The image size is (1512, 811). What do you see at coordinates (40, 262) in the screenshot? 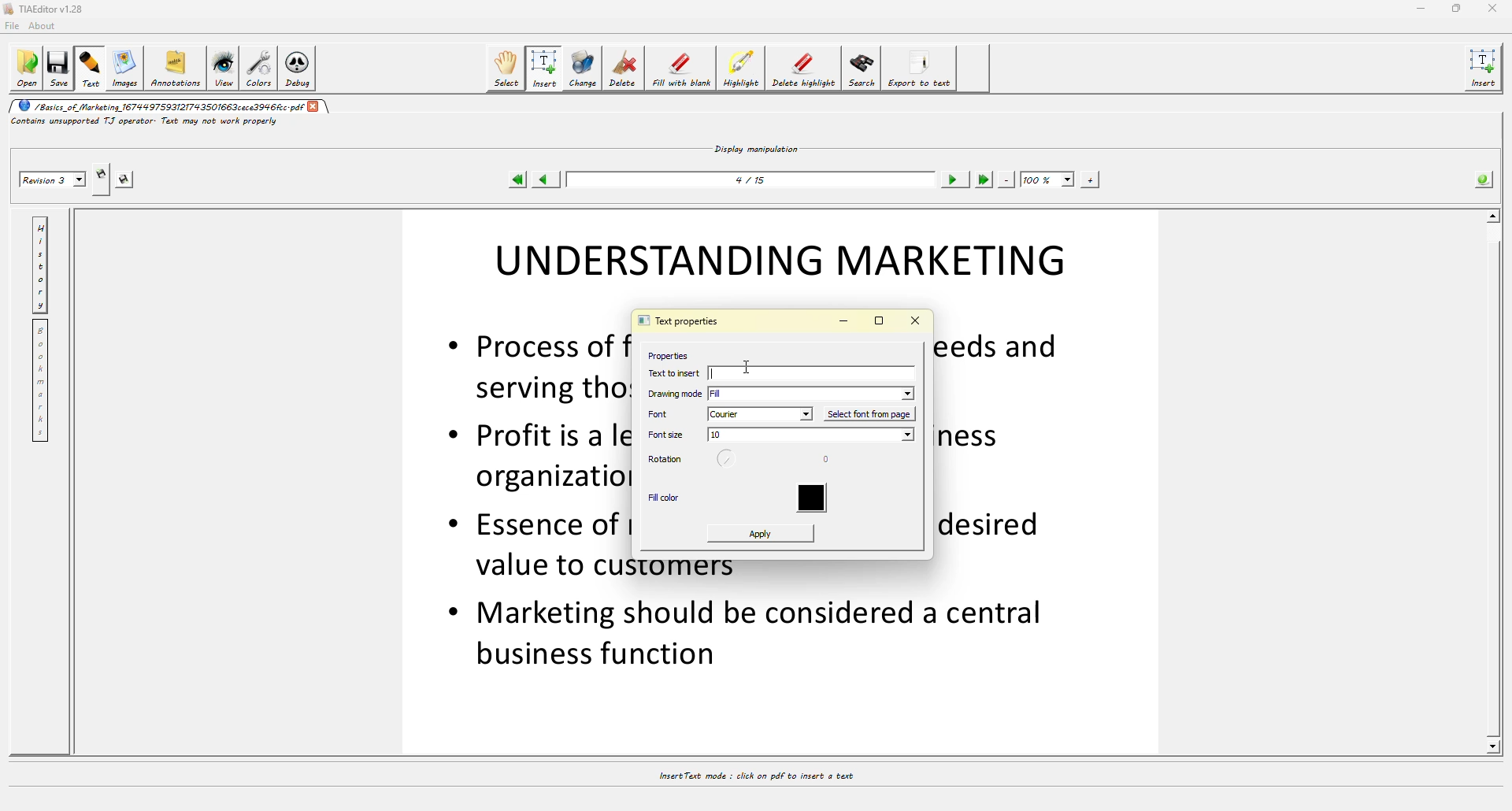
I see `history` at bounding box center [40, 262].